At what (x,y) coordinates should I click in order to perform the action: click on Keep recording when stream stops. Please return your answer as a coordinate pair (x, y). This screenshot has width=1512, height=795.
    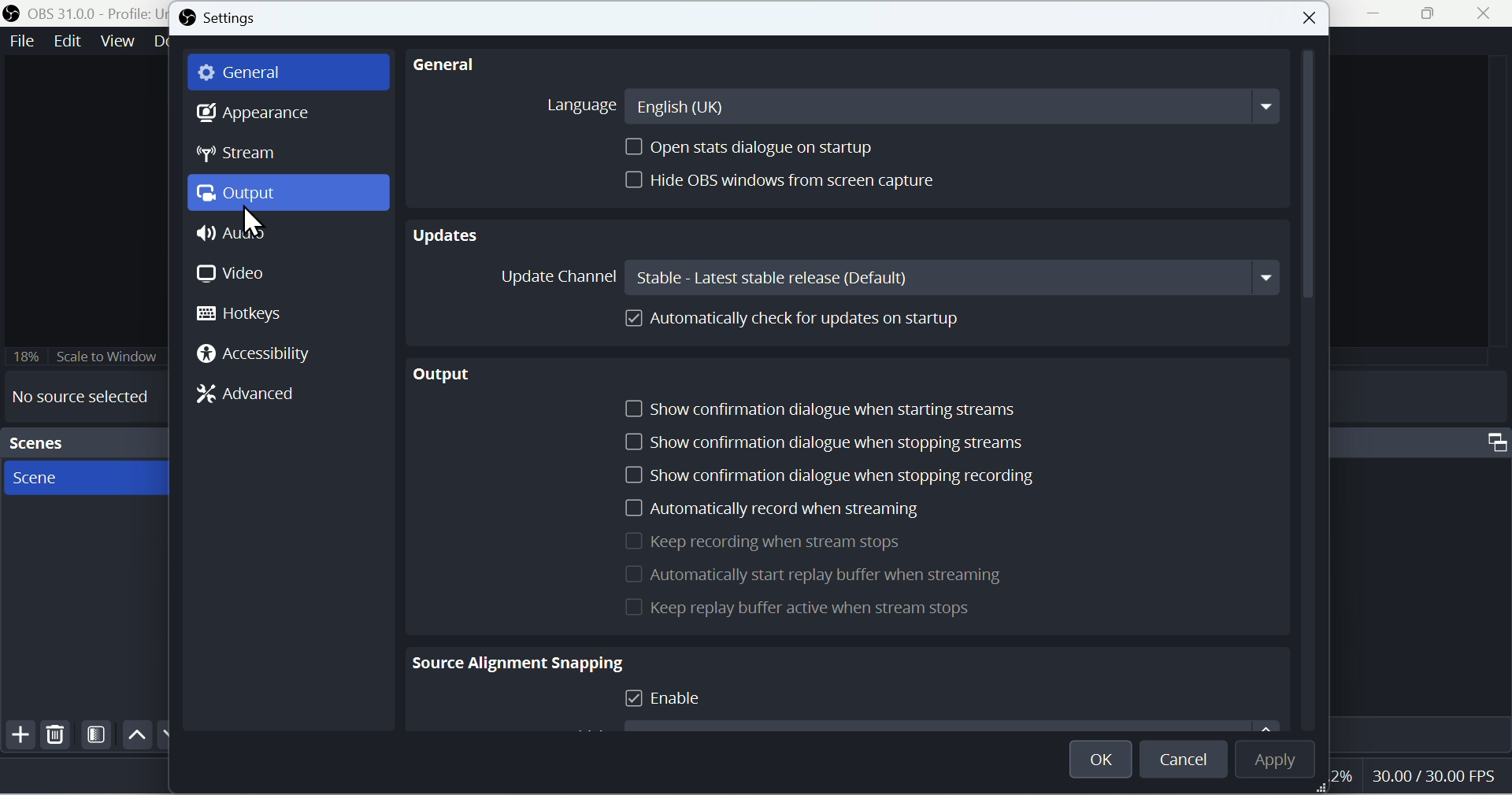
    Looking at the image, I should click on (765, 539).